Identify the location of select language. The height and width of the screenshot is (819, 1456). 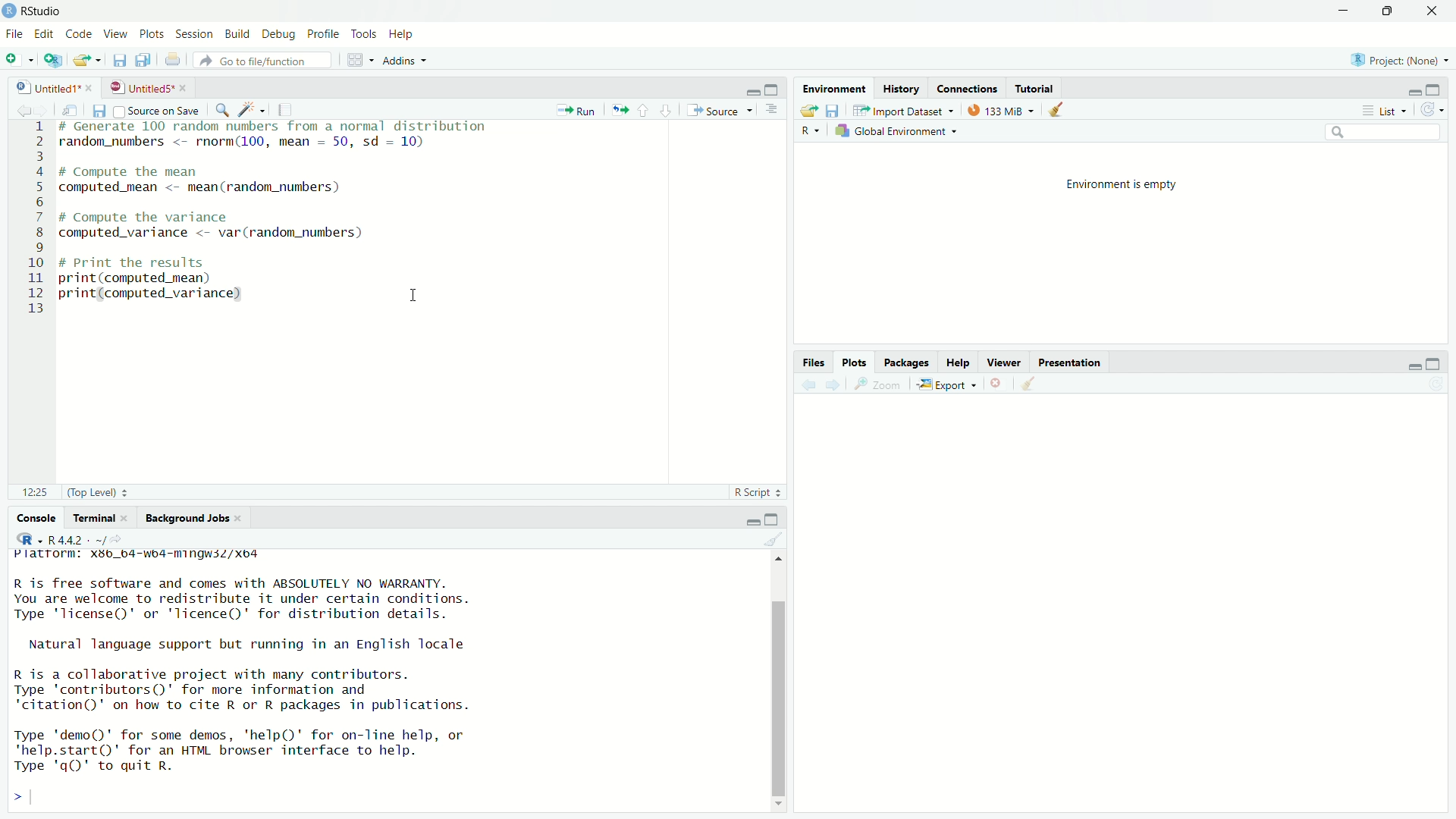
(27, 538).